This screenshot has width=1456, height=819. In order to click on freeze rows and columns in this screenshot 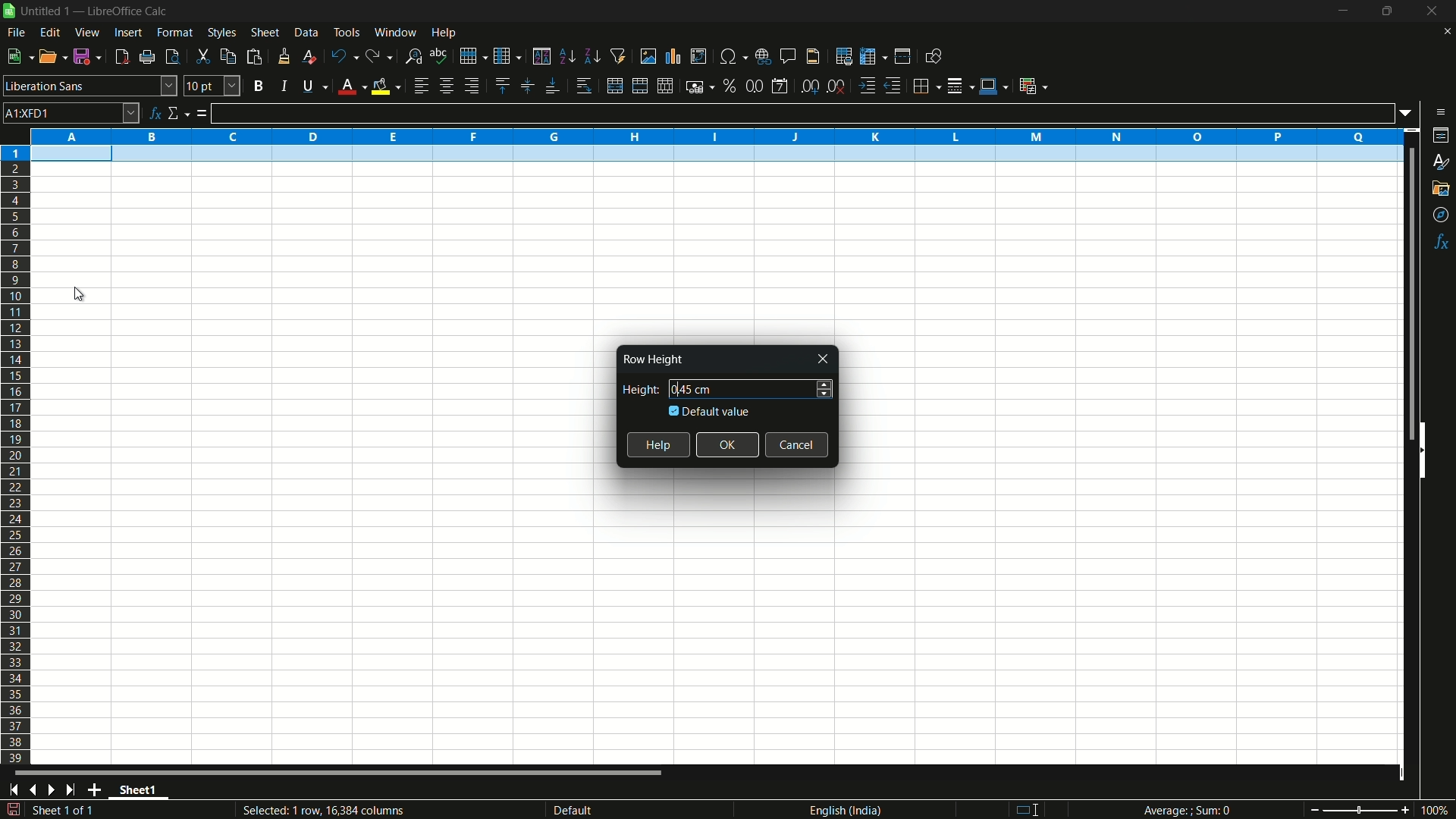, I will do `click(872, 57)`.